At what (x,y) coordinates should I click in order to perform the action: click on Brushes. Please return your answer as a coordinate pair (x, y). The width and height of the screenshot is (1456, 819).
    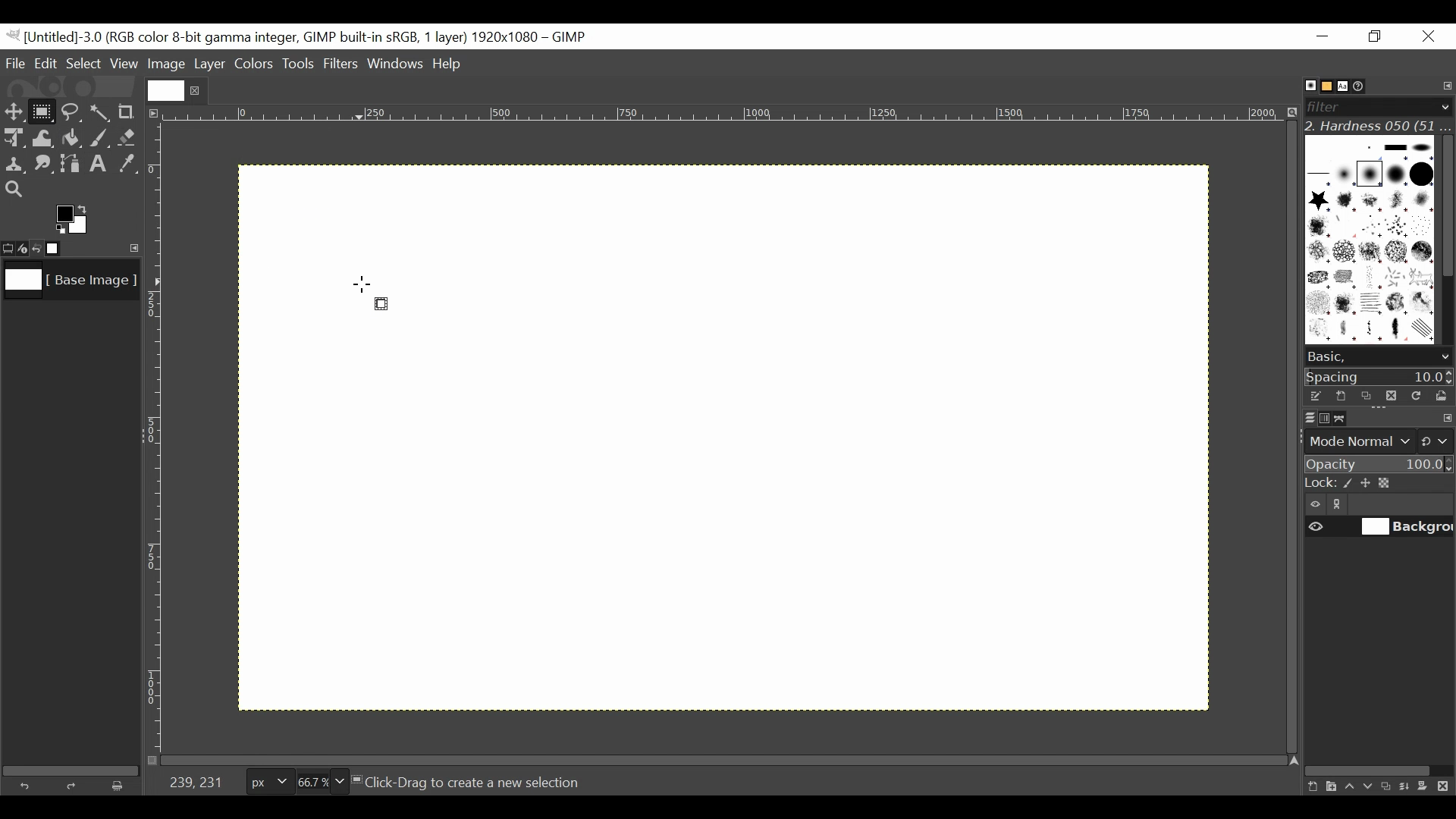
    Looking at the image, I should click on (1303, 86).